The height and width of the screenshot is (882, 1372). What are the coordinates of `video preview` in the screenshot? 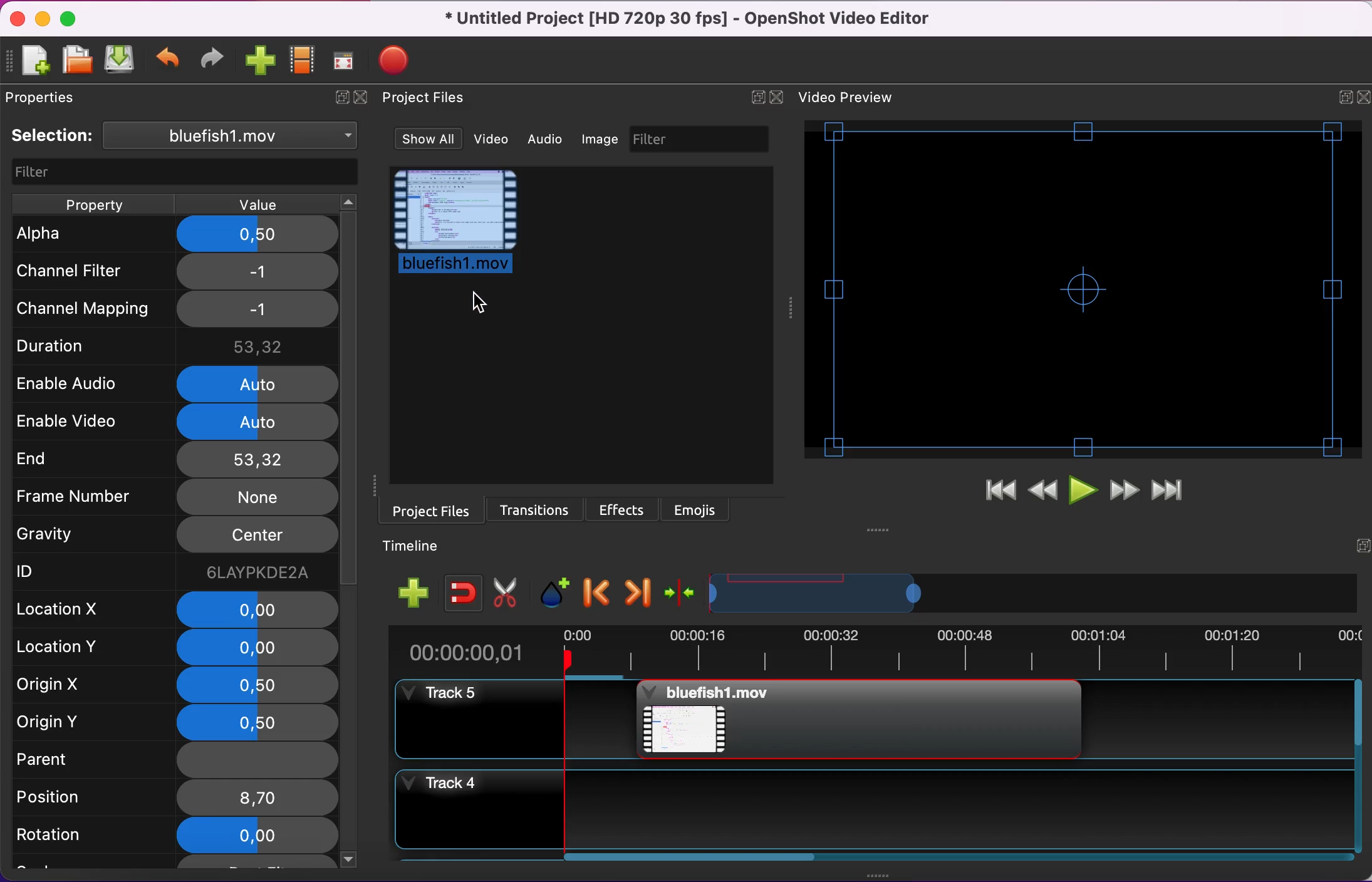 It's located at (1084, 288).